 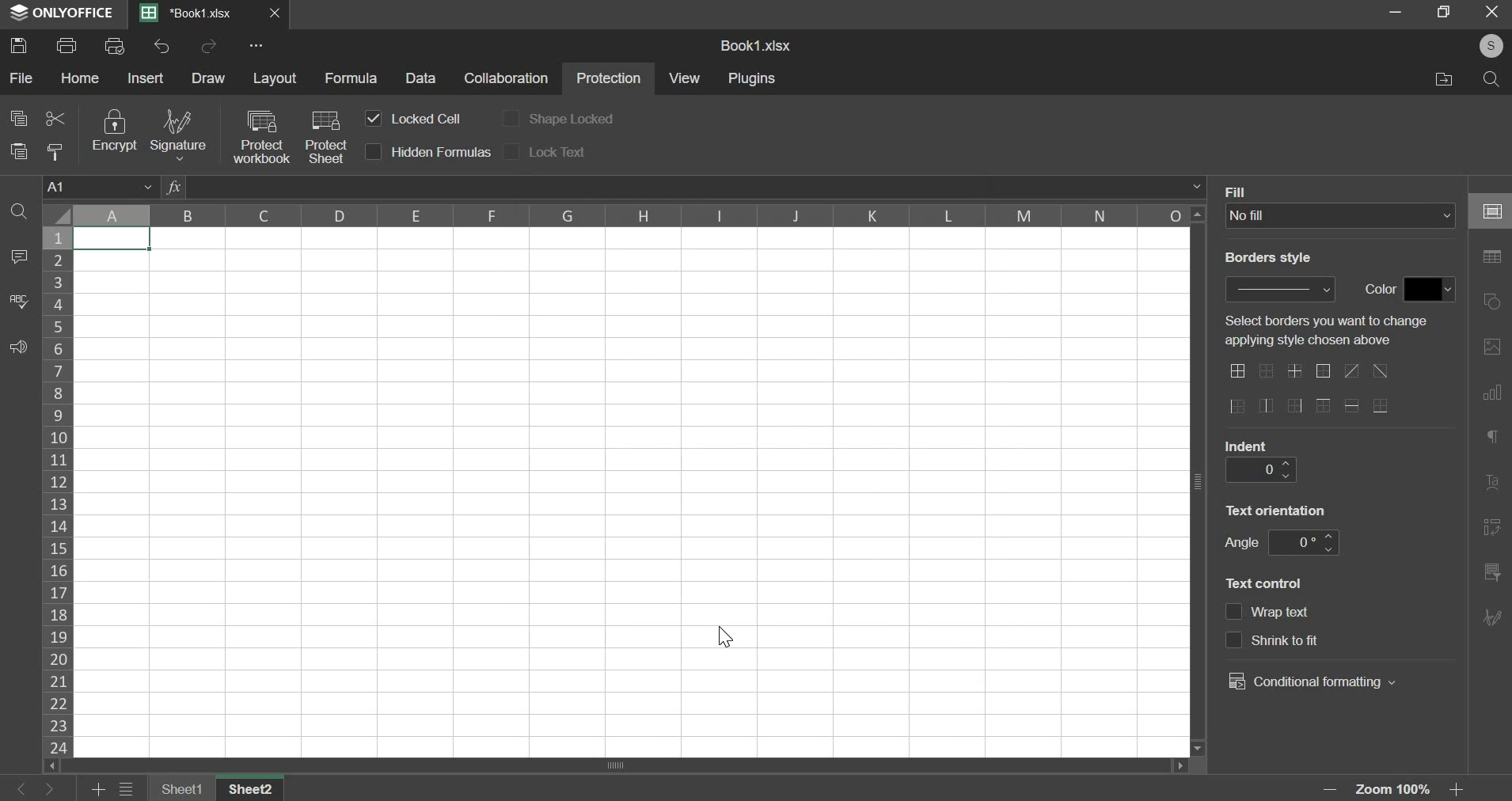 I want to click on Close , so click(x=276, y=13).